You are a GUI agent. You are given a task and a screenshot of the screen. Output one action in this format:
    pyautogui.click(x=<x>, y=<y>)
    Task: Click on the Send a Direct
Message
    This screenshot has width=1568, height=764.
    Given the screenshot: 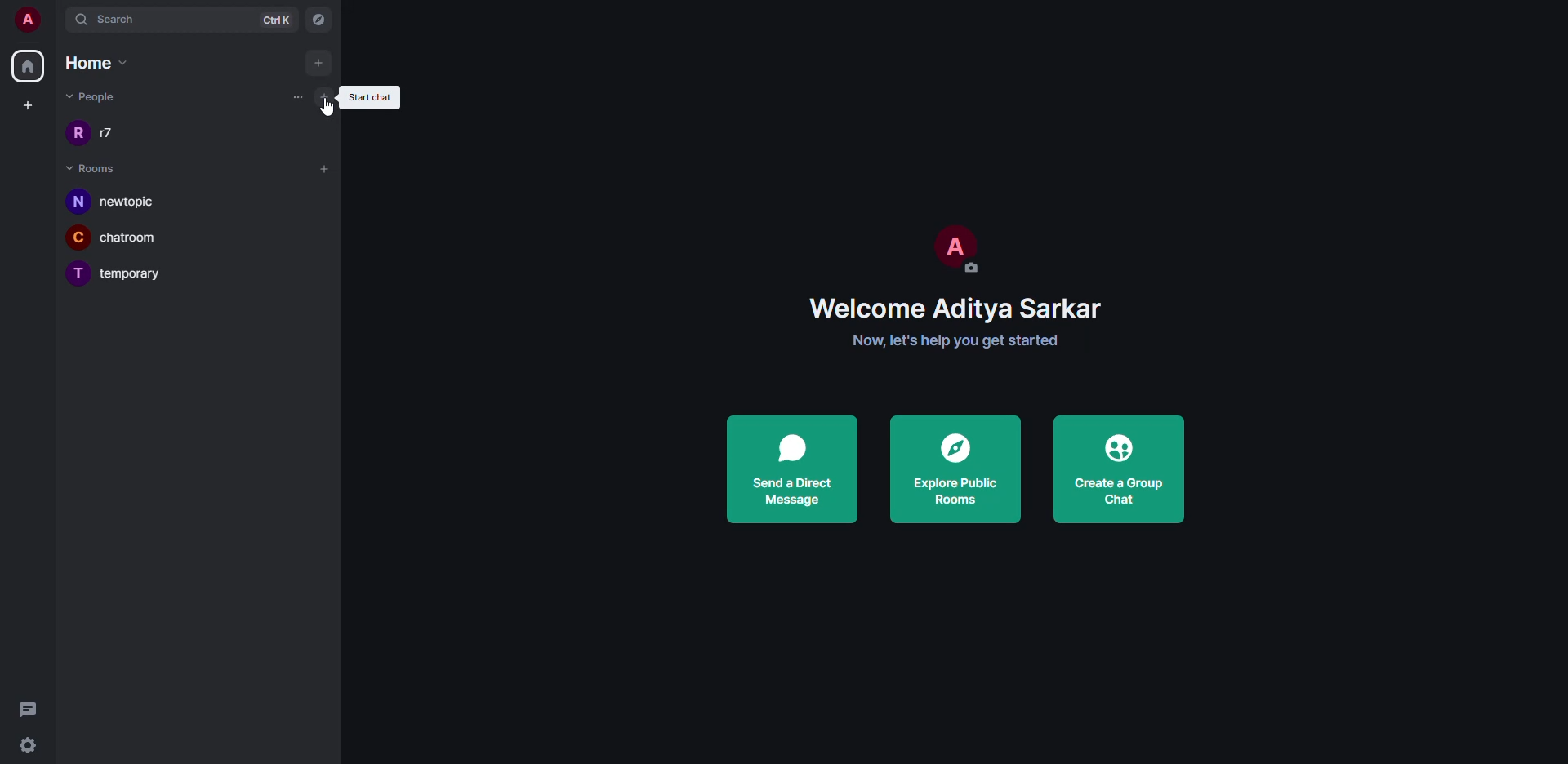 What is the action you would take?
    pyautogui.click(x=795, y=469)
    